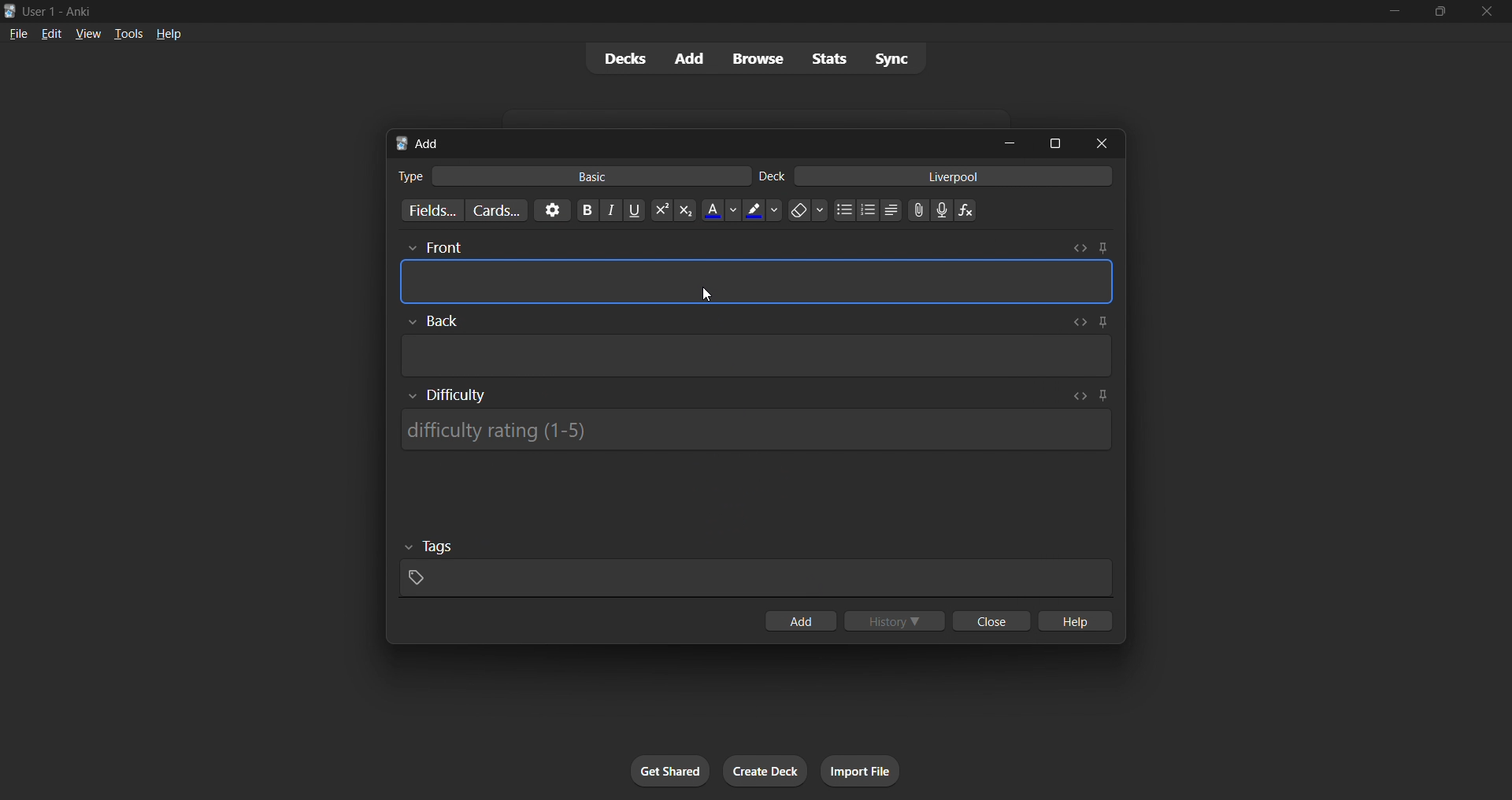  Describe the element at coordinates (919, 210) in the screenshot. I see `Upload file` at that location.